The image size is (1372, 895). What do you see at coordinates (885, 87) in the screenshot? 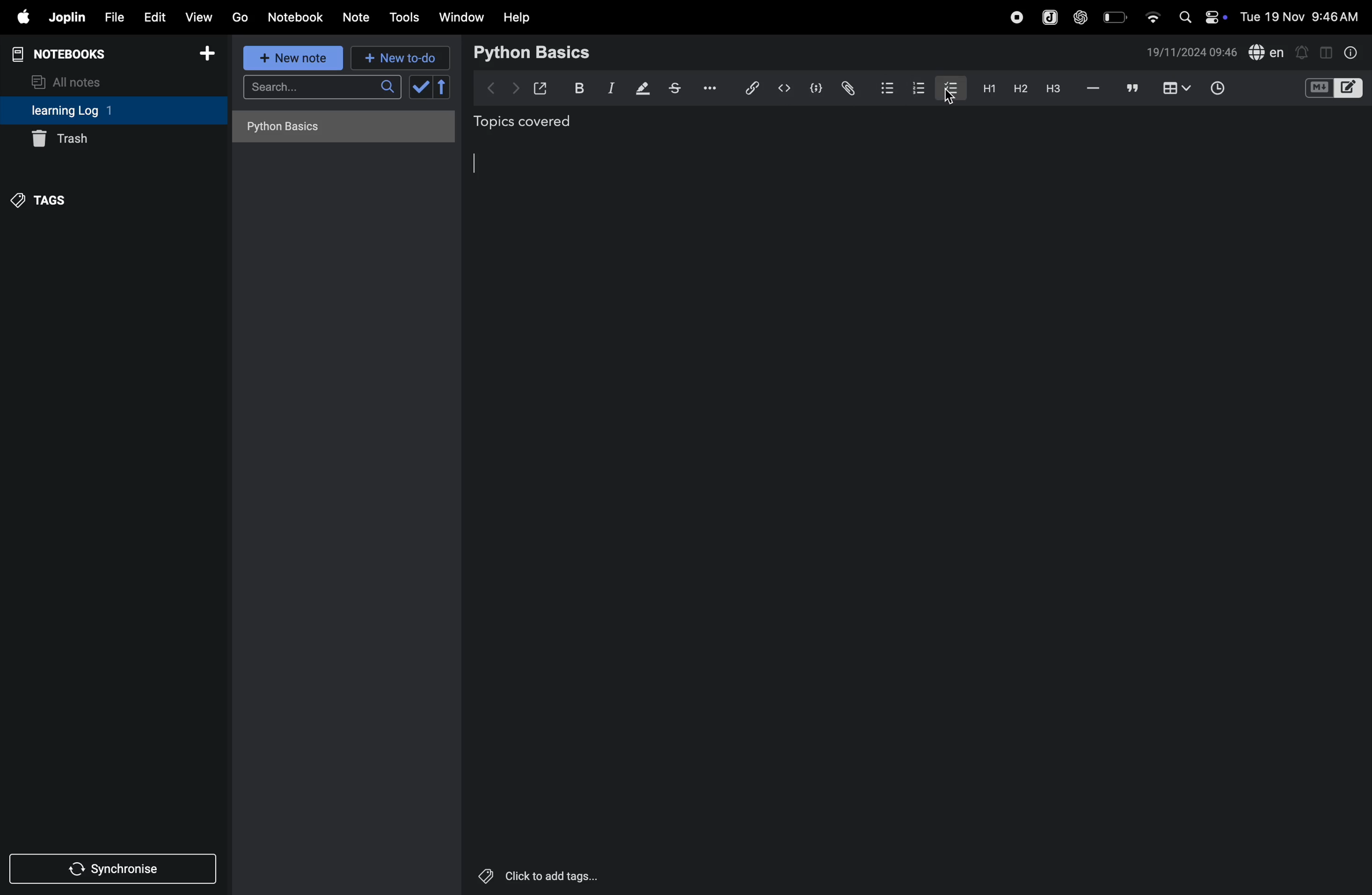
I see `bullet list` at bounding box center [885, 87].